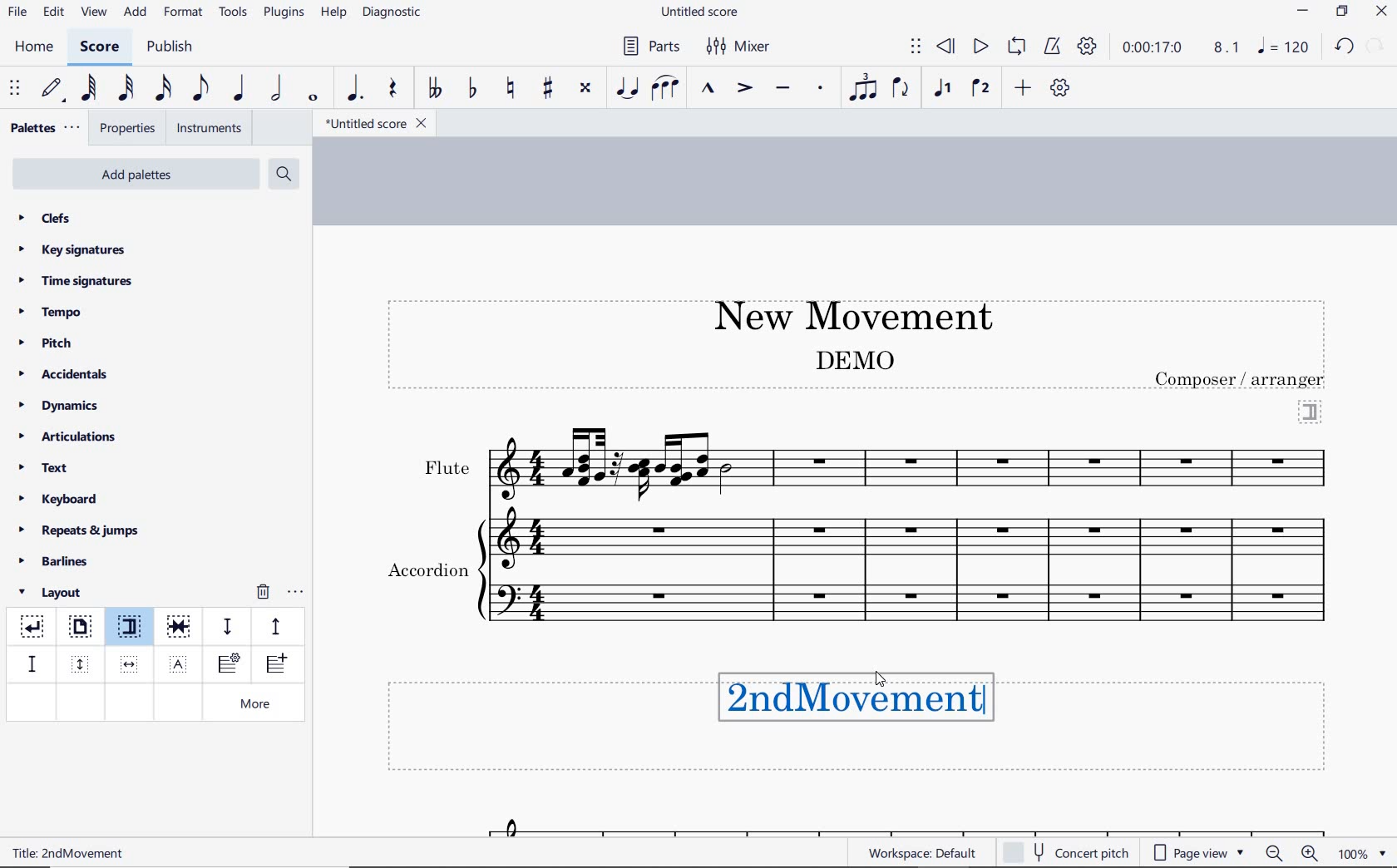  What do you see at coordinates (374, 124) in the screenshot?
I see `file name` at bounding box center [374, 124].